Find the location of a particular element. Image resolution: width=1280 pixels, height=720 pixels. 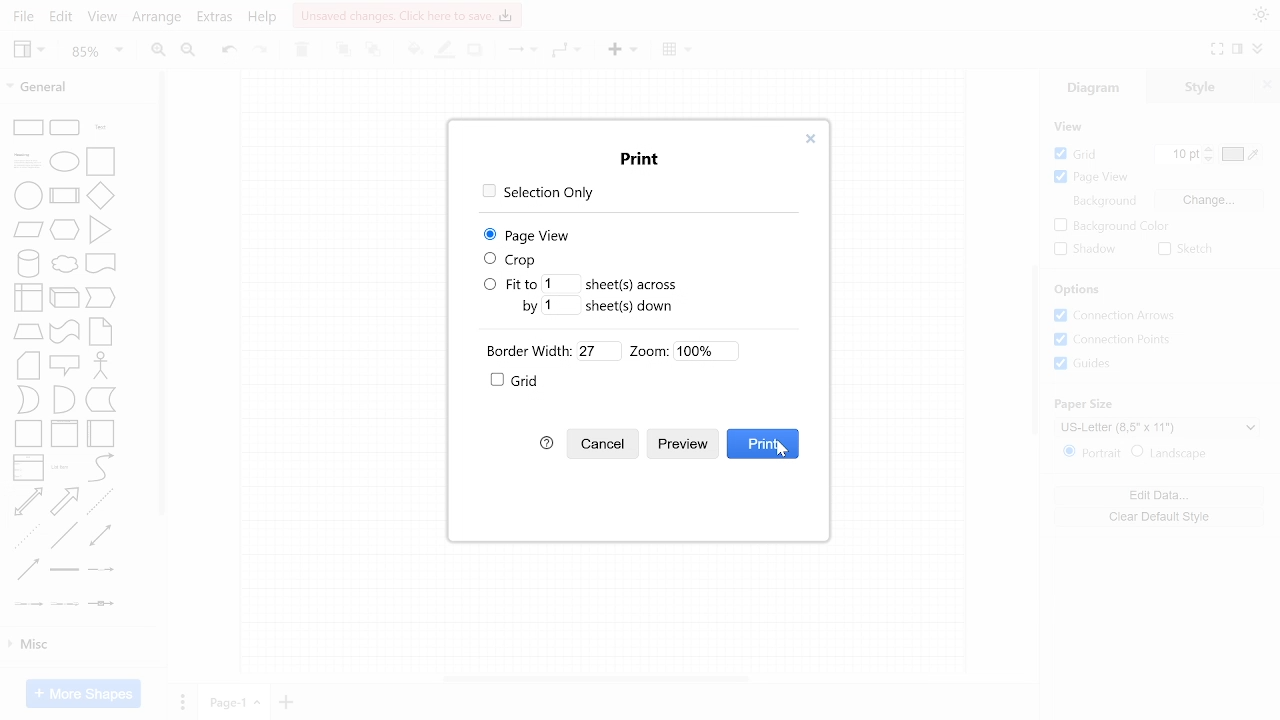

Unsaved changes. Click here to save. is located at coordinates (408, 16).